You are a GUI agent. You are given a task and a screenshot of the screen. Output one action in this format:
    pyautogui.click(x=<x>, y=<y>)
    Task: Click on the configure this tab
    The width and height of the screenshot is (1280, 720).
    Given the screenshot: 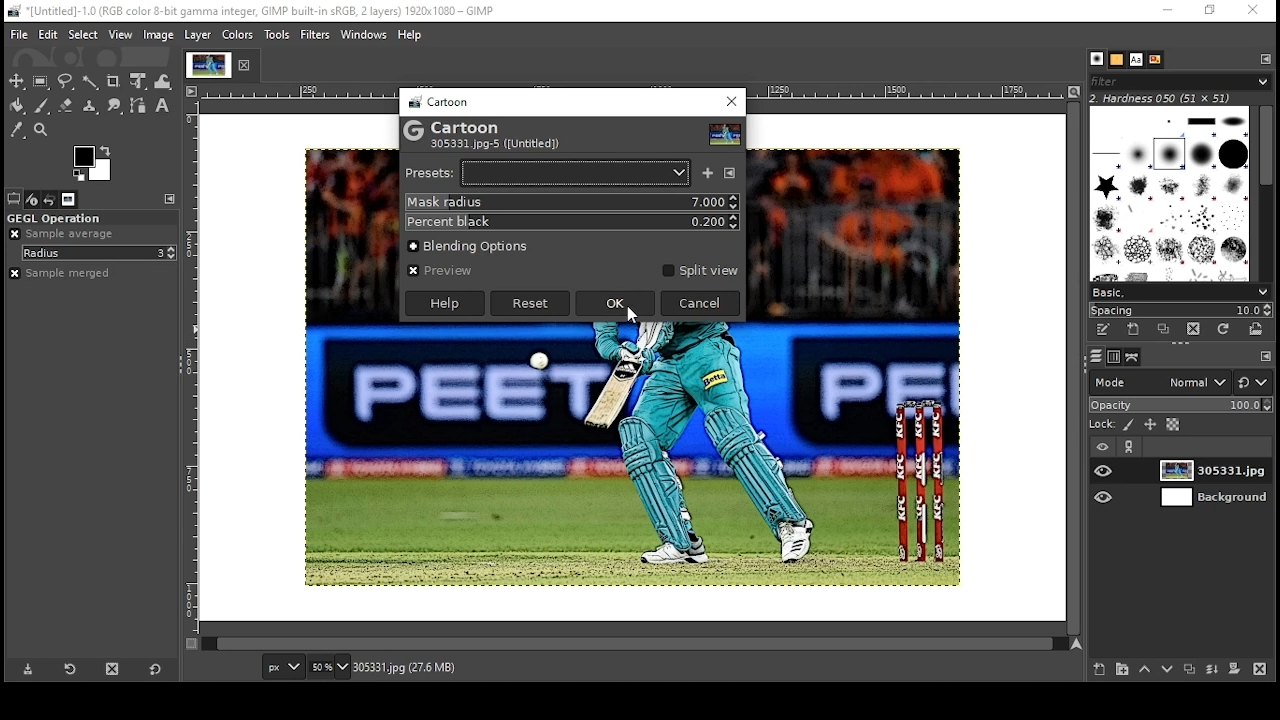 What is the action you would take?
    pyautogui.click(x=172, y=196)
    